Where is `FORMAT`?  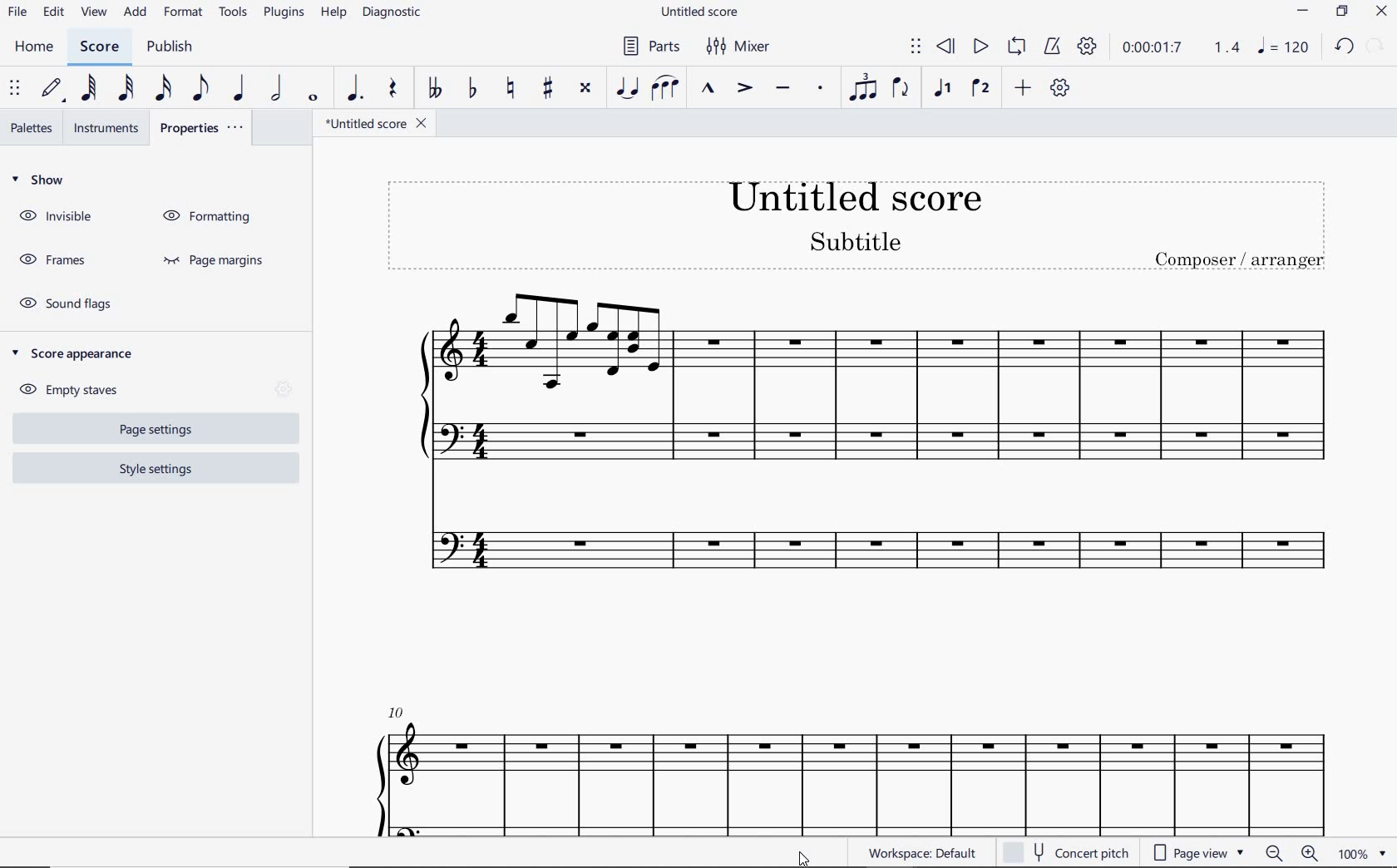
FORMAT is located at coordinates (185, 13).